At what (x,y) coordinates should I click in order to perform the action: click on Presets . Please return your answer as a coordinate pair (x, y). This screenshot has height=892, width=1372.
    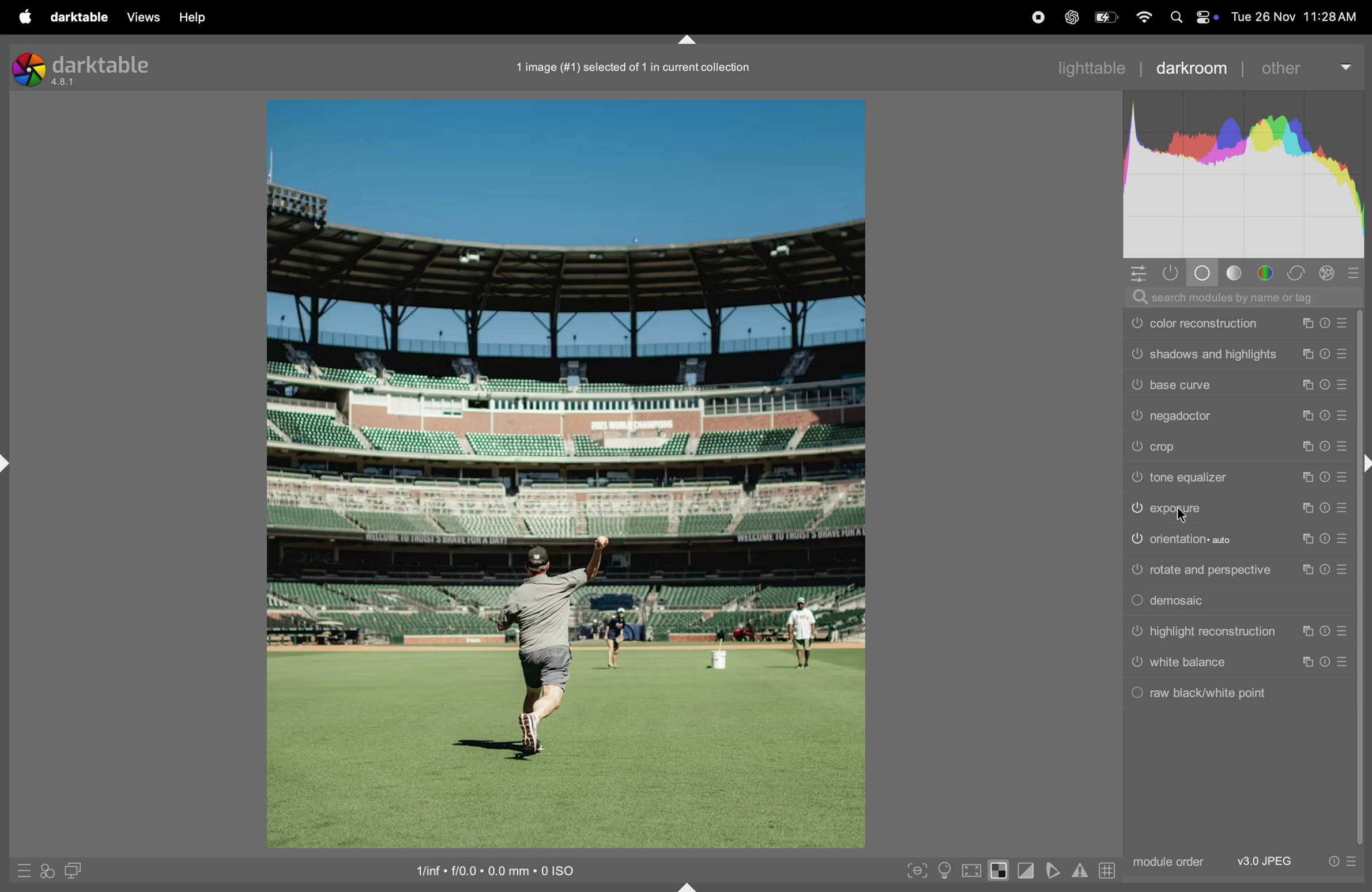
    Looking at the image, I should click on (1342, 354).